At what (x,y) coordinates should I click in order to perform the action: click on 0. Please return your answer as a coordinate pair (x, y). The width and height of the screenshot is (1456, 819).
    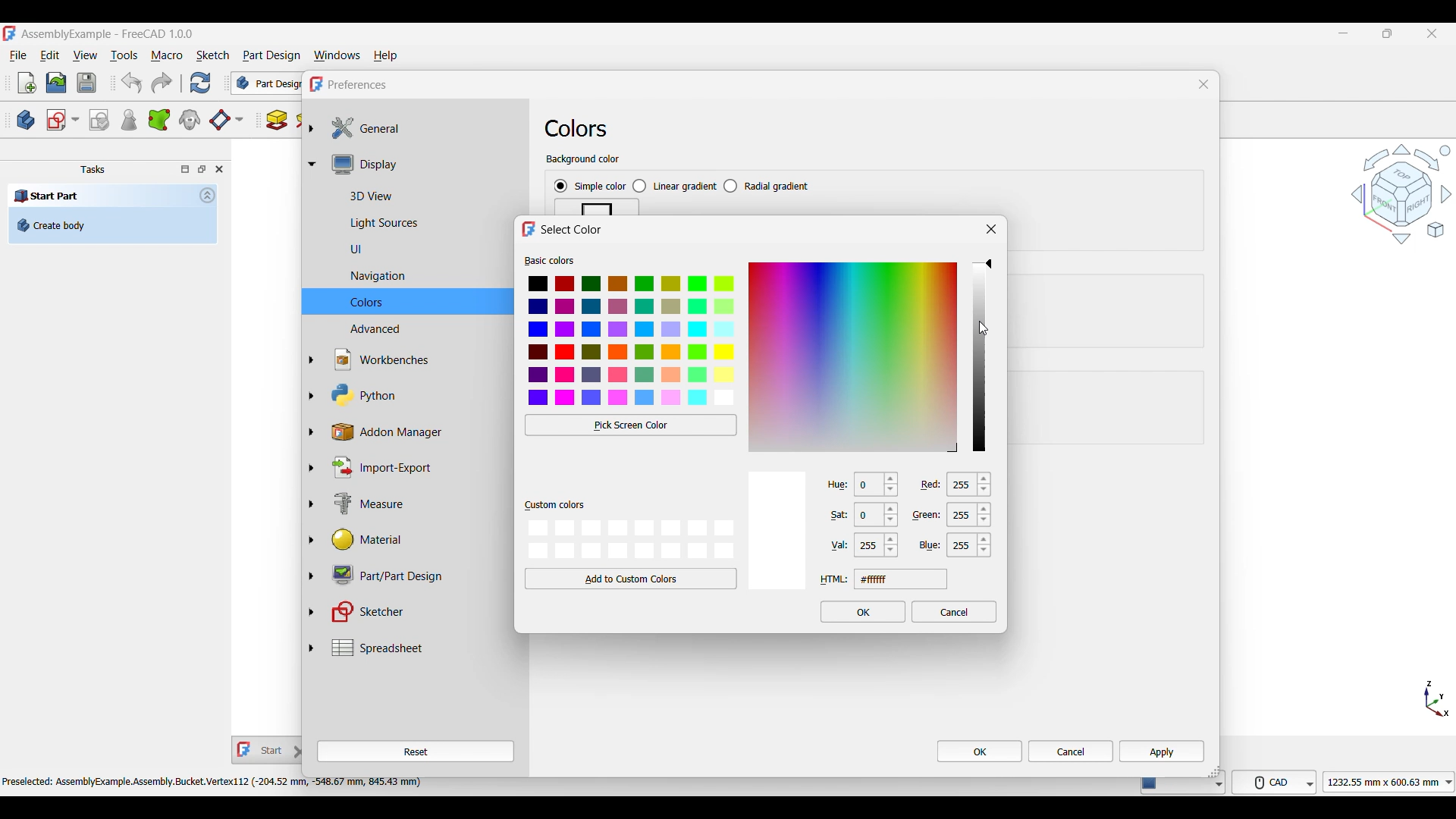
    Looking at the image, I should click on (879, 517).